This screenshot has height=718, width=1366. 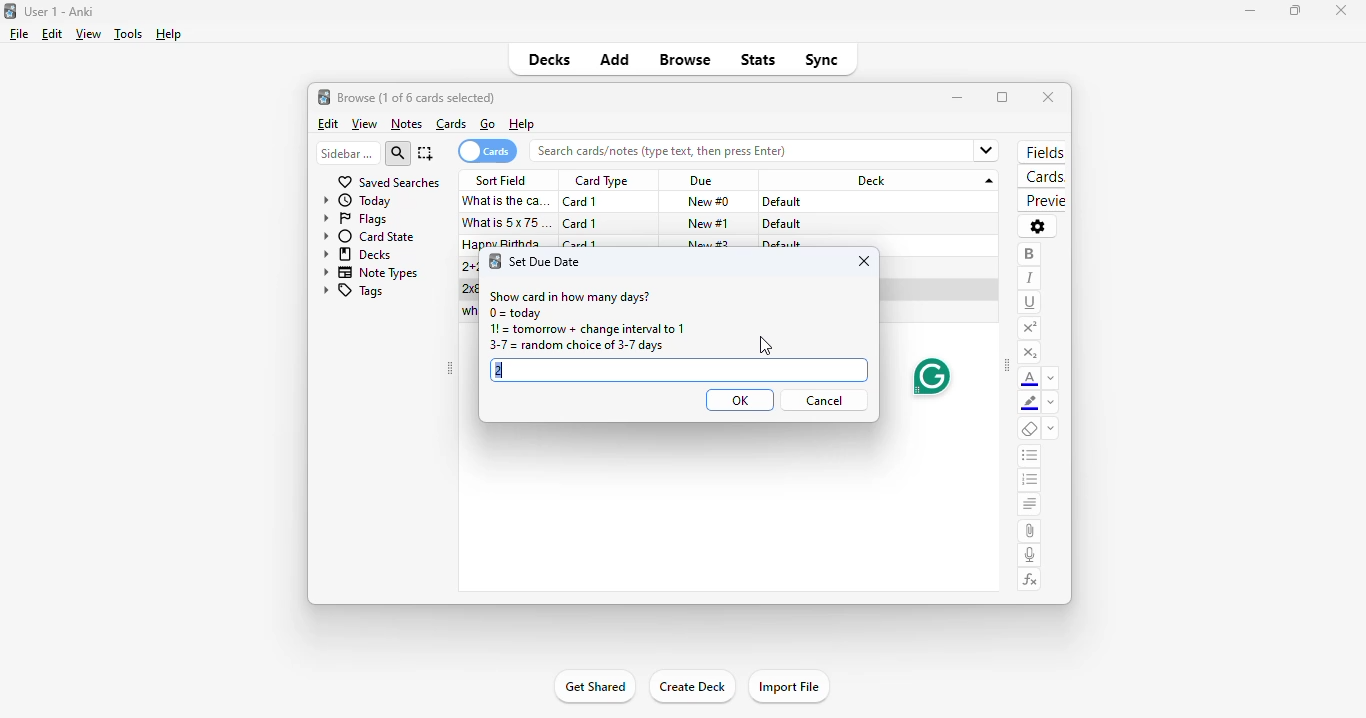 What do you see at coordinates (449, 369) in the screenshot?
I see `toggle sidebar` at bounding box center [449, 369].